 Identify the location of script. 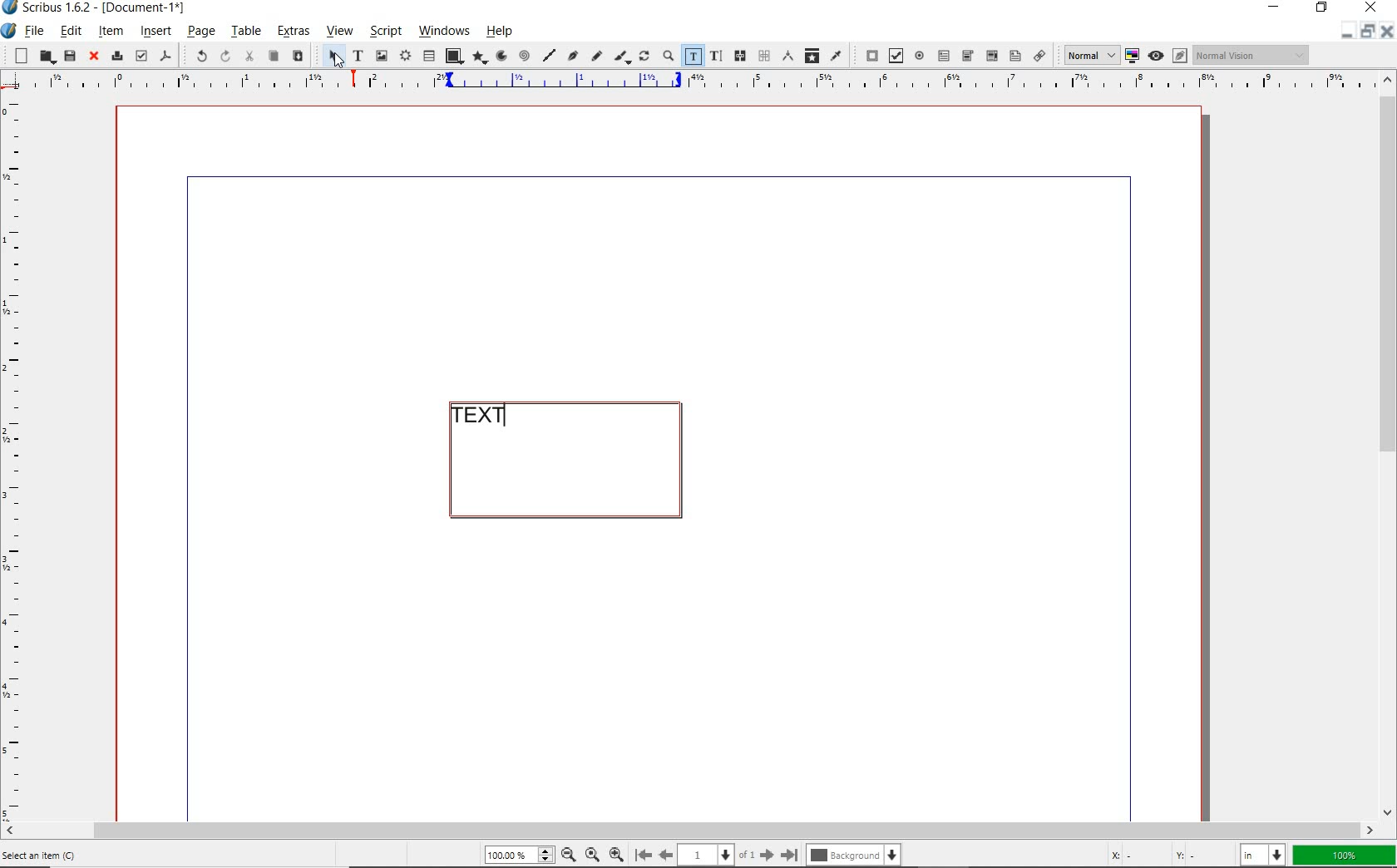
(385, 30).